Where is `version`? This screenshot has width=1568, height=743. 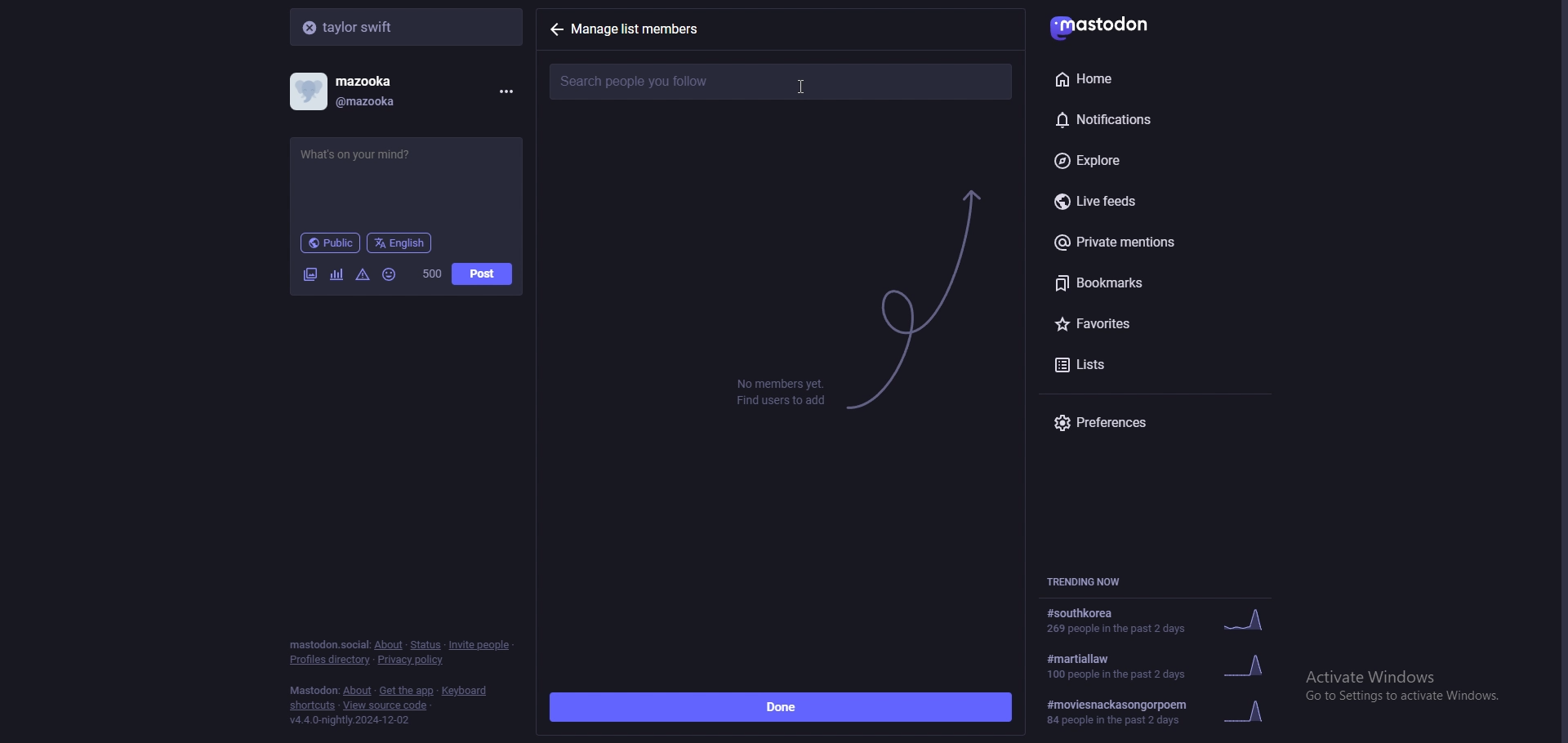
version is located at coordinates (349, 720).